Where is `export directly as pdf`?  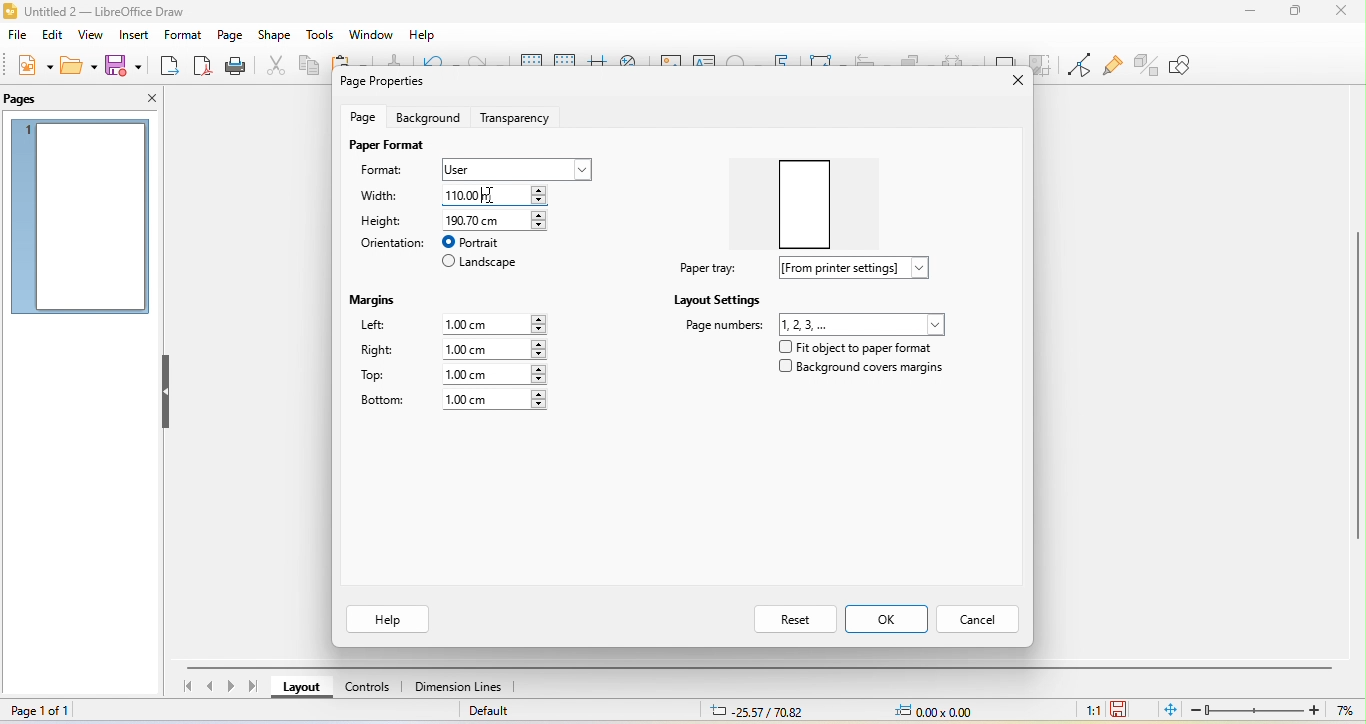
export directly as pdf is located at coordinates (202, 66).